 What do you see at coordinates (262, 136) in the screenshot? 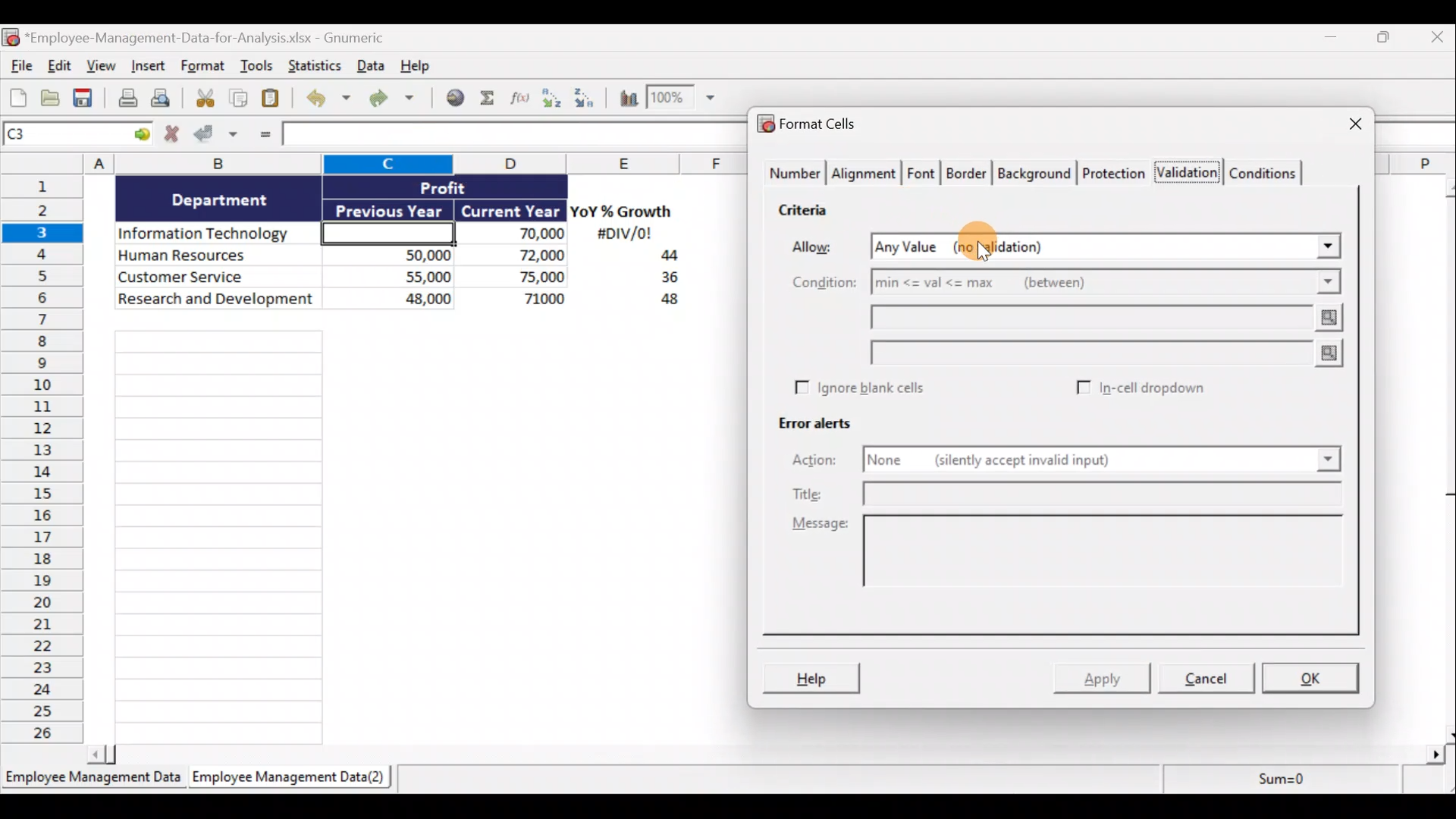
I see `Enter formula` at bounding box center [262, 136].